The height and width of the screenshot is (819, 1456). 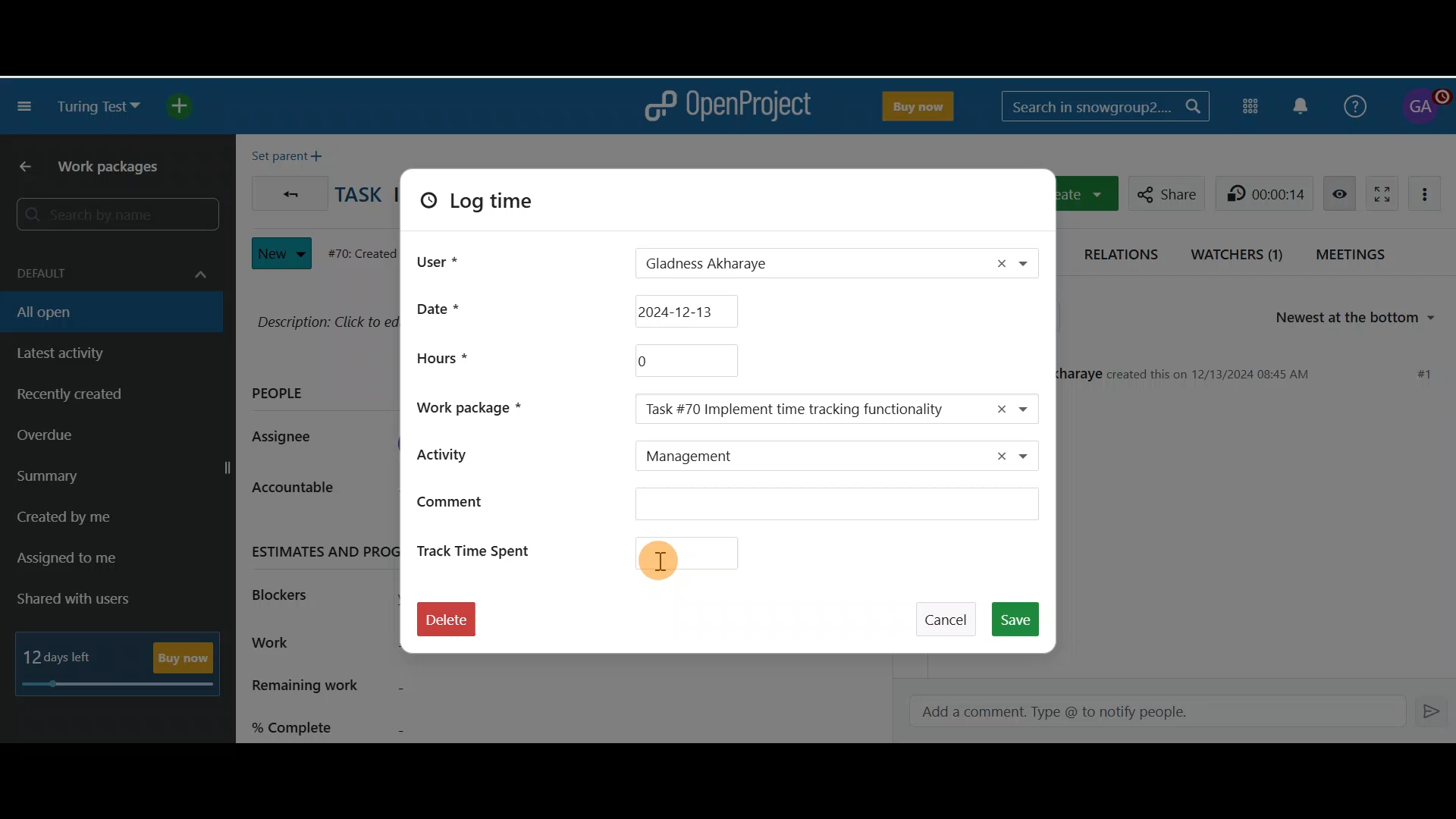 What do you see at coordinates (108, 265) in the screenshot?
I see `Default` at bounding box center [108, 265].